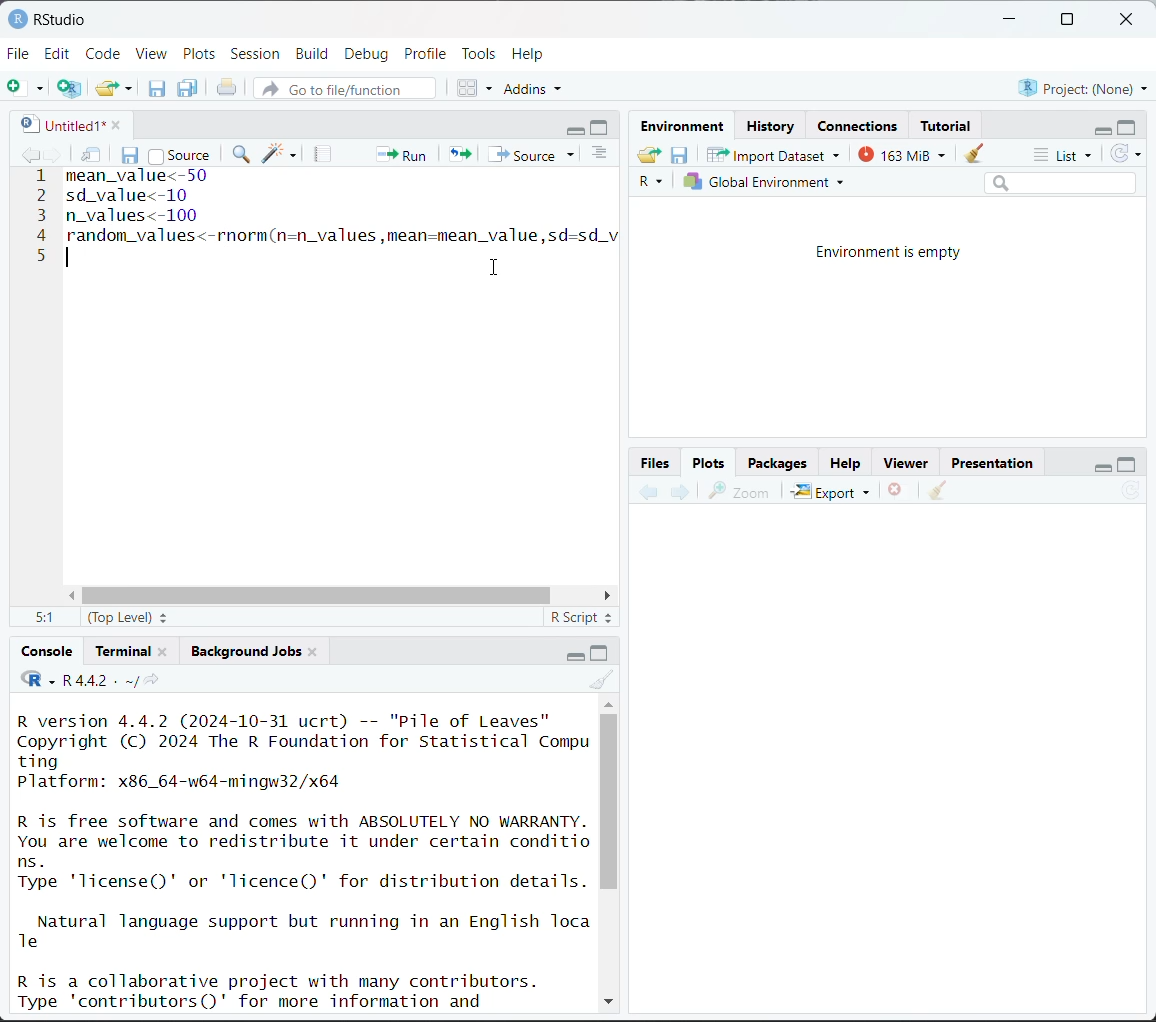  Describe the element at coordinates (107, 85) in the screenshot. I see `open an existing file` at that location.